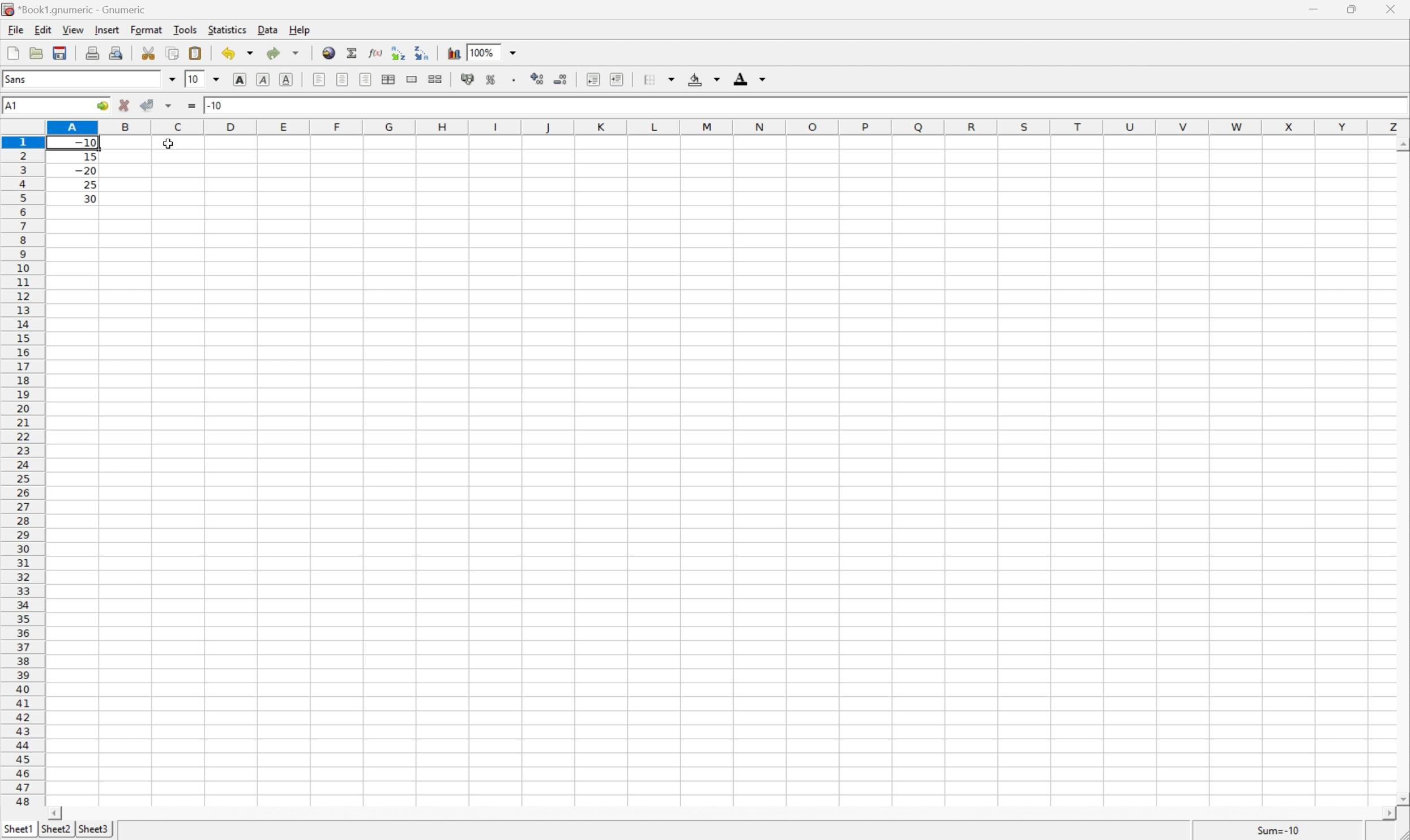  Describe the element at coordinates (561, 79) in the screenshot. I see `Decrease the number of decimals displayed` at that location.